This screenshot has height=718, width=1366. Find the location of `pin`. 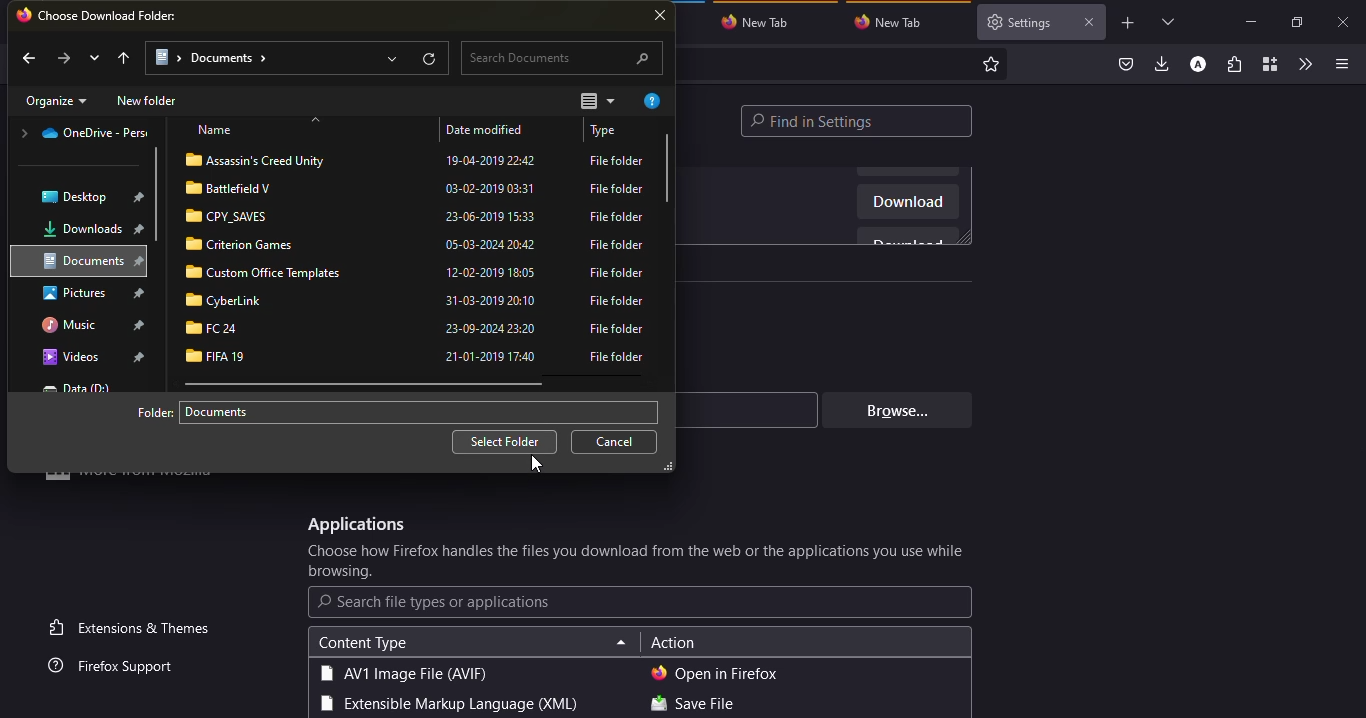

pin is located at coordinates (142, 263).